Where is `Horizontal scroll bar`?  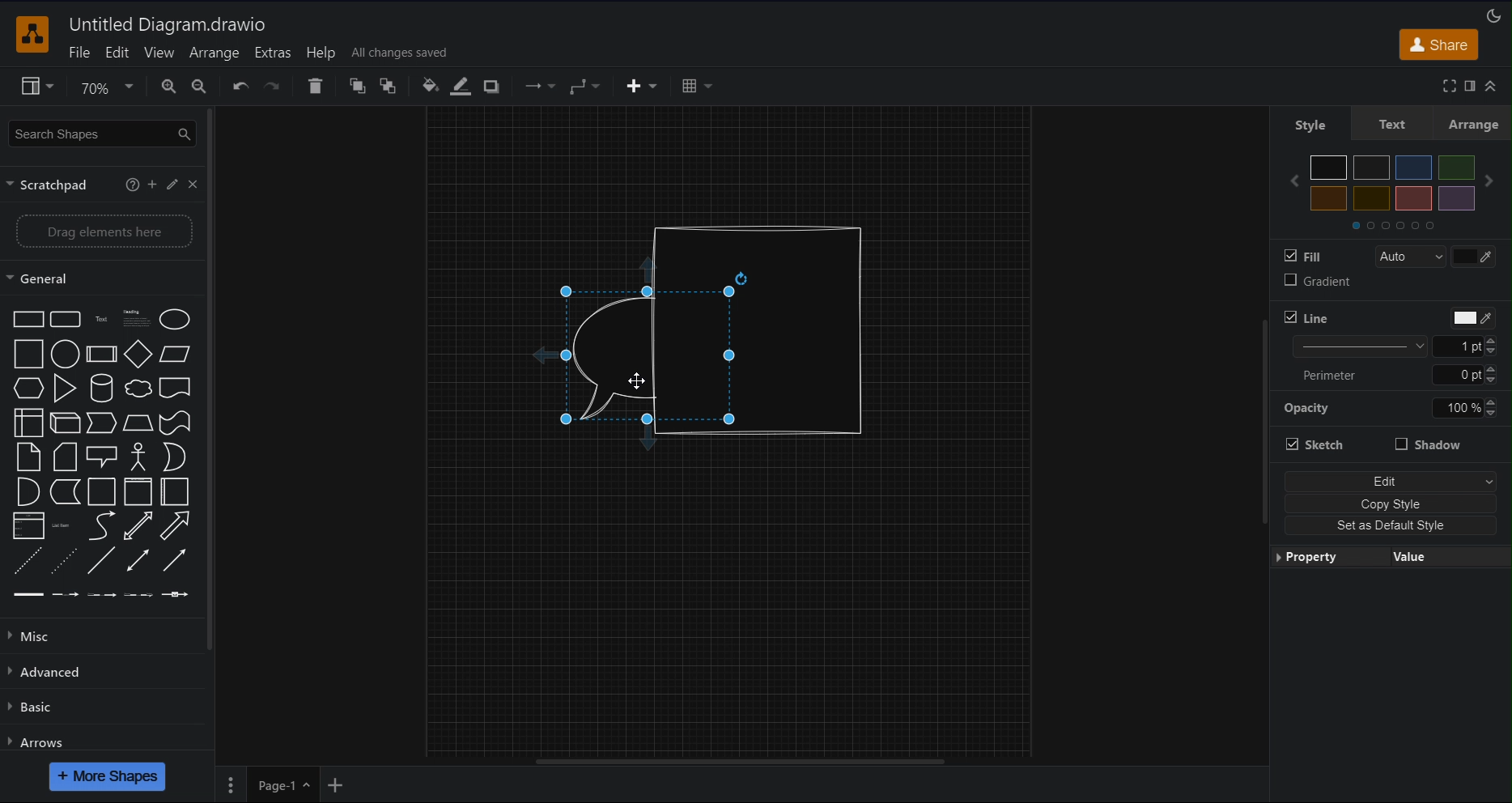
Horizontal scroll bar is located at coordinates (741, 762).